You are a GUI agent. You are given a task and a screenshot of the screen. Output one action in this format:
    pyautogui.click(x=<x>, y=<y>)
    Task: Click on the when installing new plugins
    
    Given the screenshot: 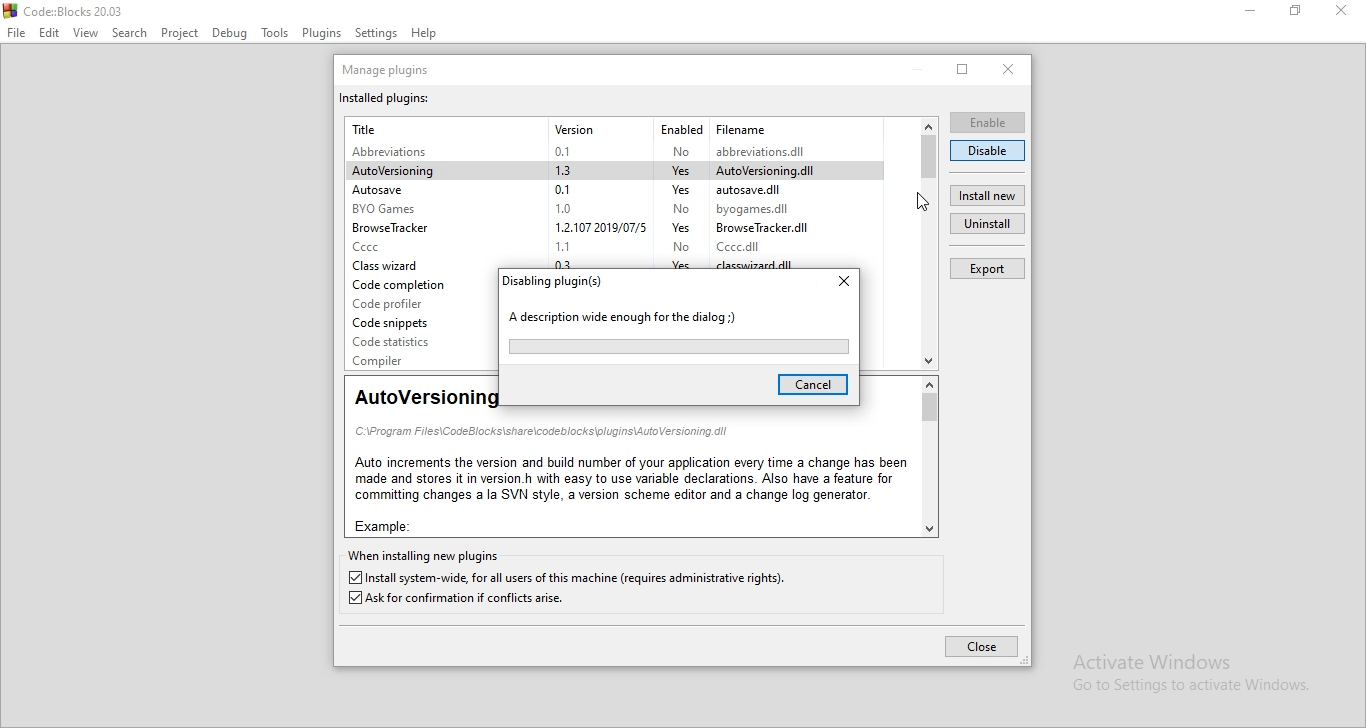 What is the action you would take?
    pyautogui.click(x=428, y=556)
    